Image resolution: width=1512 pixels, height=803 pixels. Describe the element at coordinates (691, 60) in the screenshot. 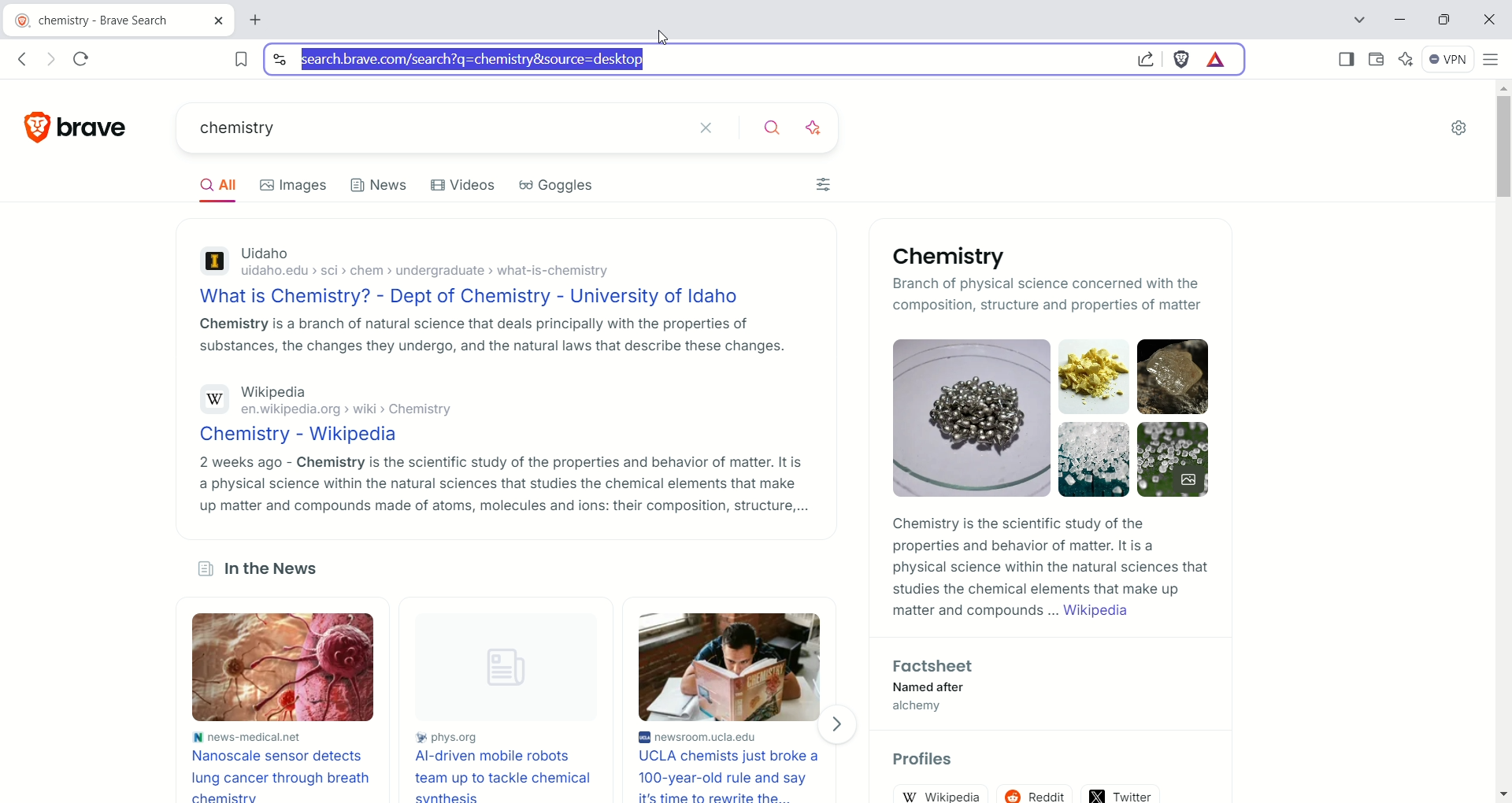

I see `search bar` at that location.